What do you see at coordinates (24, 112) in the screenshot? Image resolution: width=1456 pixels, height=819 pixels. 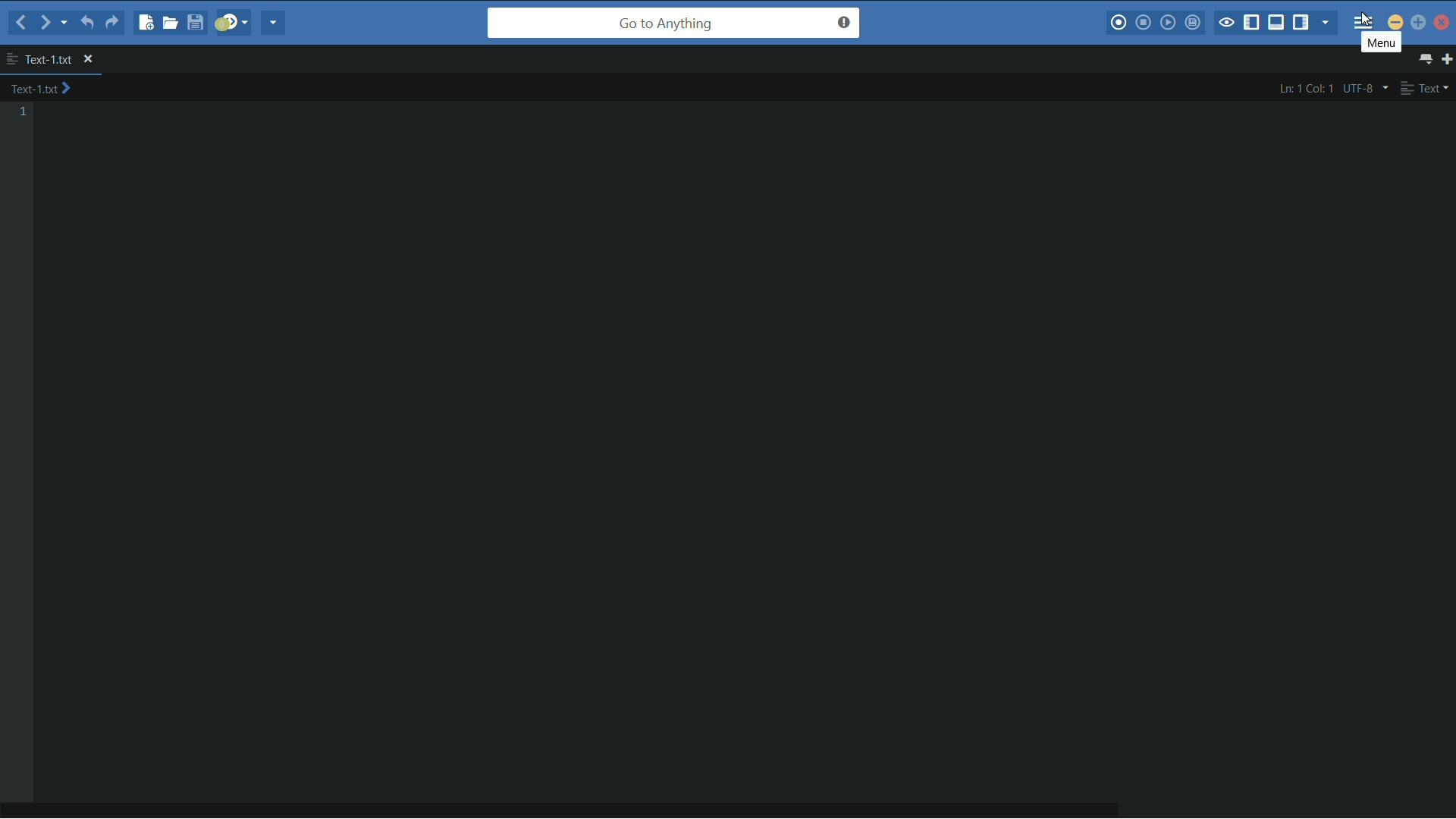 I see `line number` at bounding box center [24, 112].